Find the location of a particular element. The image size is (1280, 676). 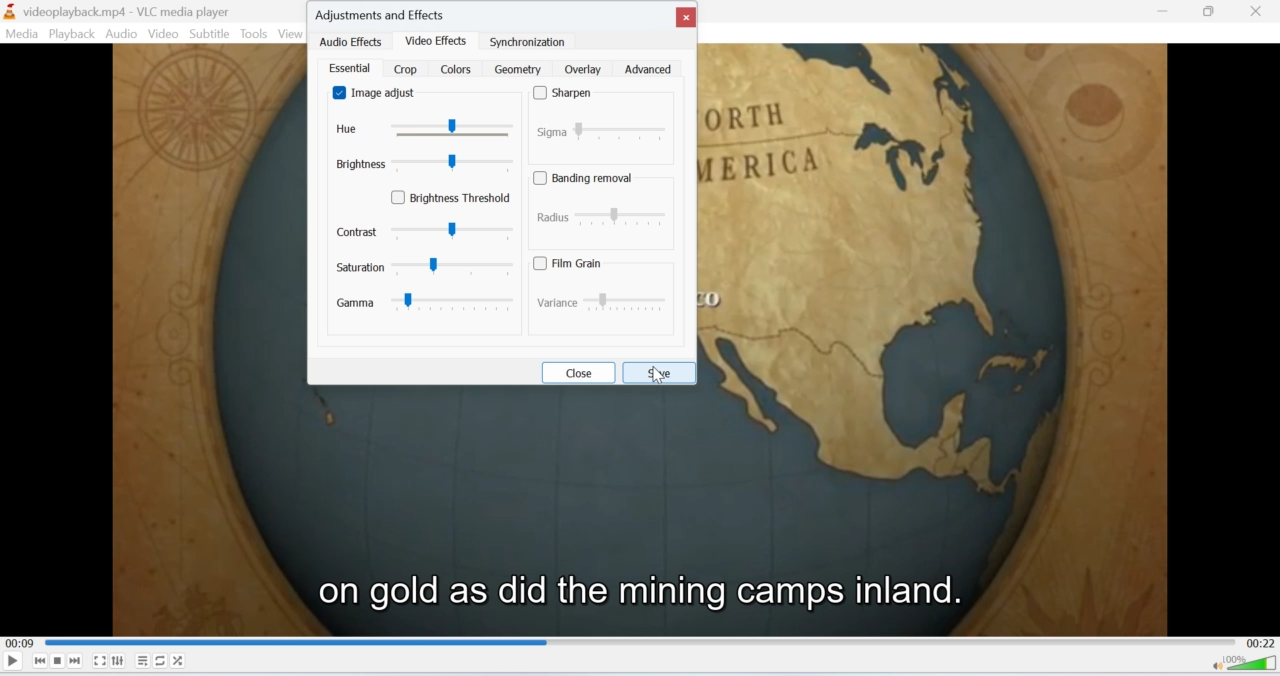

save is located at coordinates (661, 372).